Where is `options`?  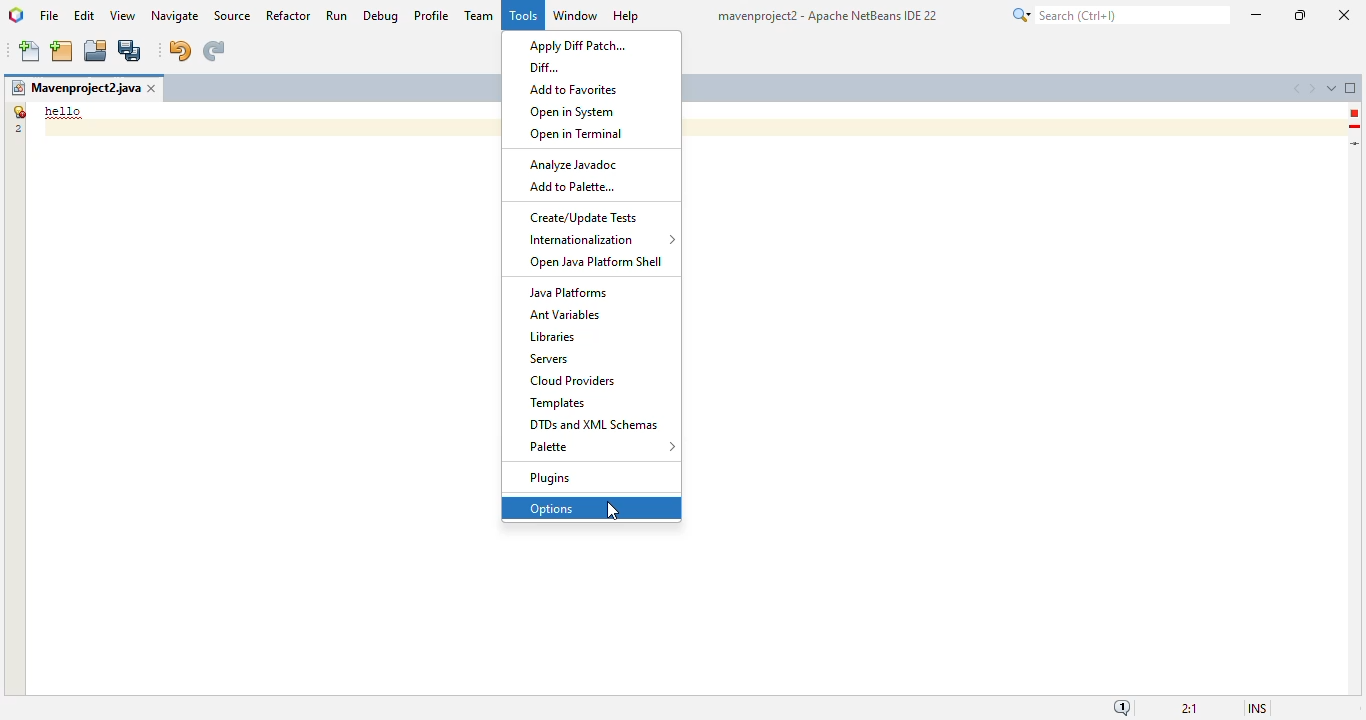
options is located at coordinates (552, 509).